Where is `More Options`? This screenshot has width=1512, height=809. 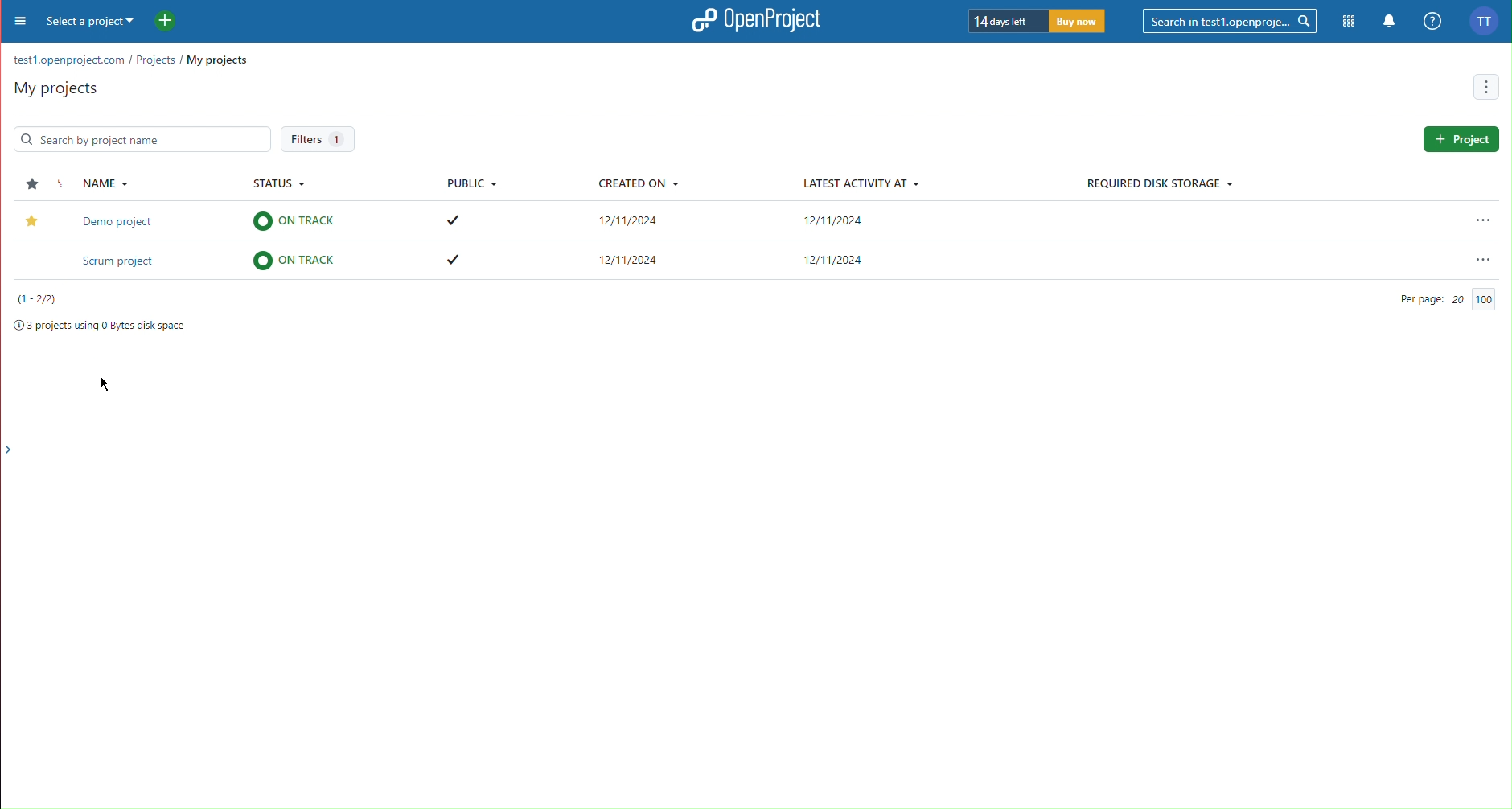 More Options is located at coordinates (1488, 87).